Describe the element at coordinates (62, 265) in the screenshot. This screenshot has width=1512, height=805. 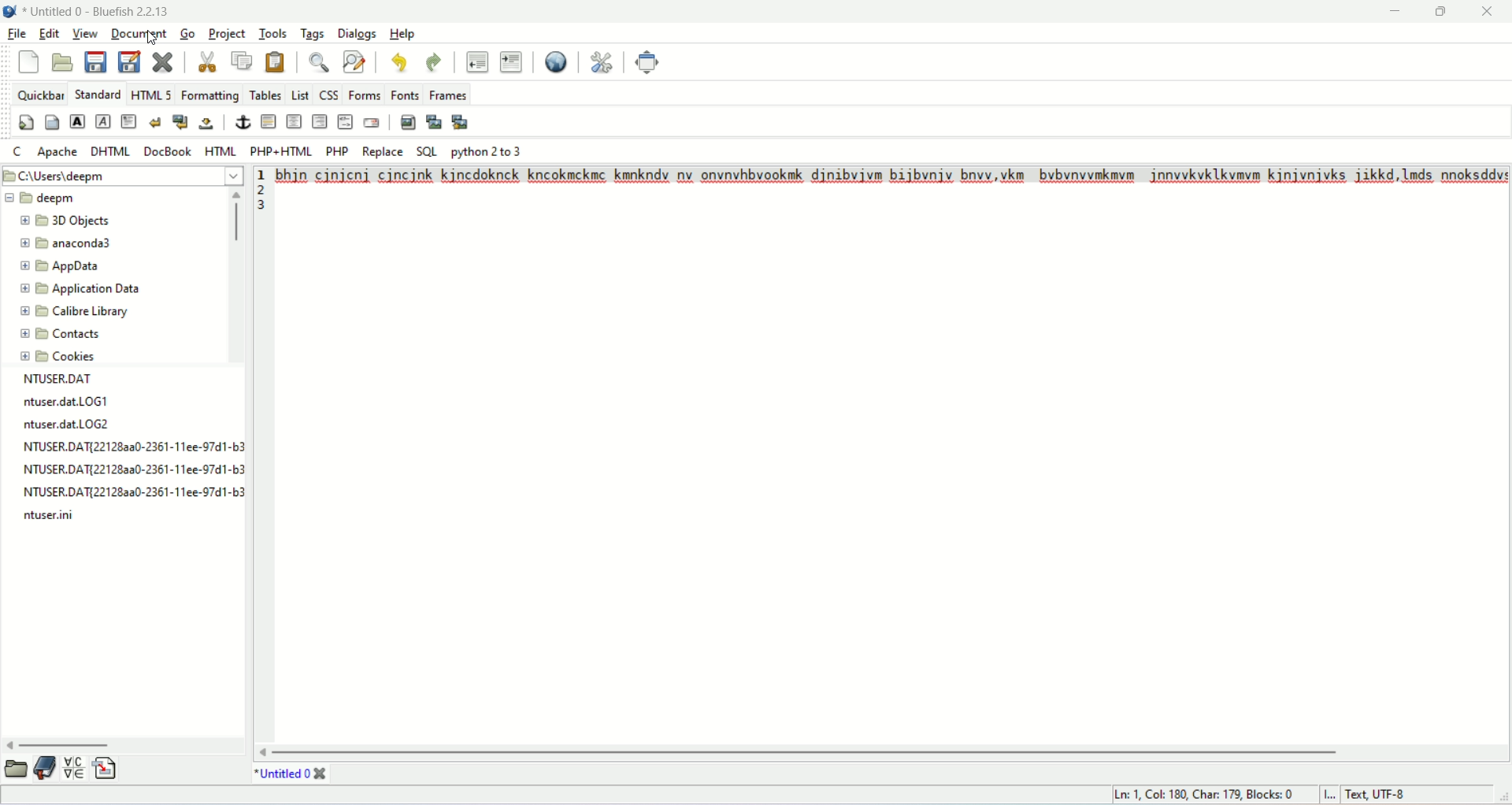
I see `appdata` at that location.